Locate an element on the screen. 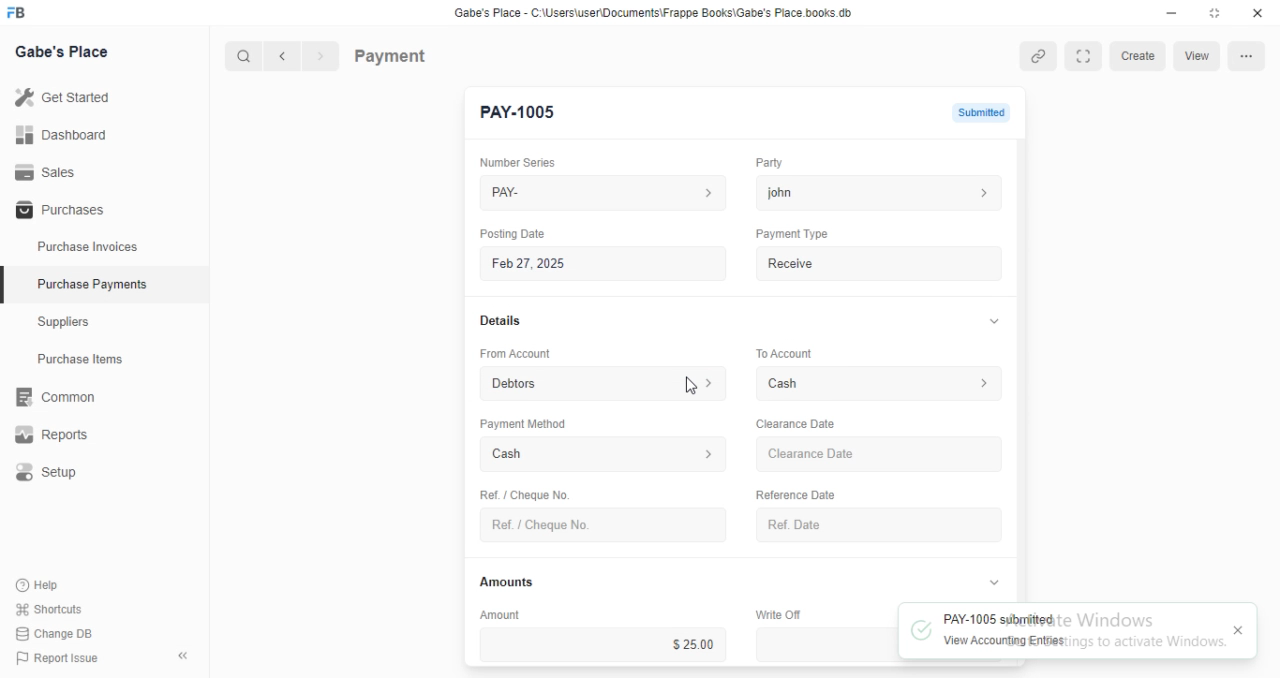 The height and width of the screenshot is (678, 1280). Reference Date is located at coordinates (794, 493).